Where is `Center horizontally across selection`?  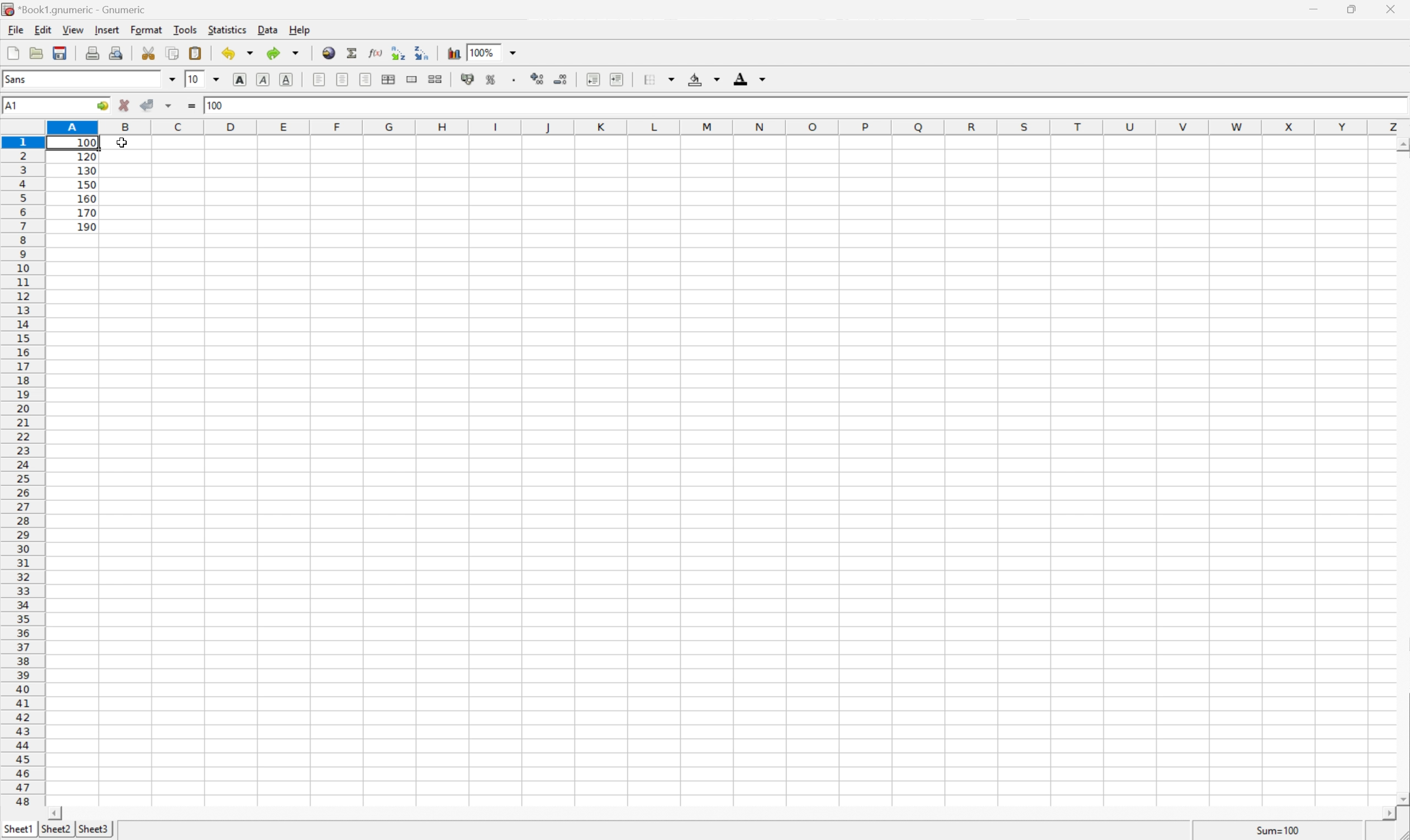
Center horizontally across selection is located at coordinates (388, 79).